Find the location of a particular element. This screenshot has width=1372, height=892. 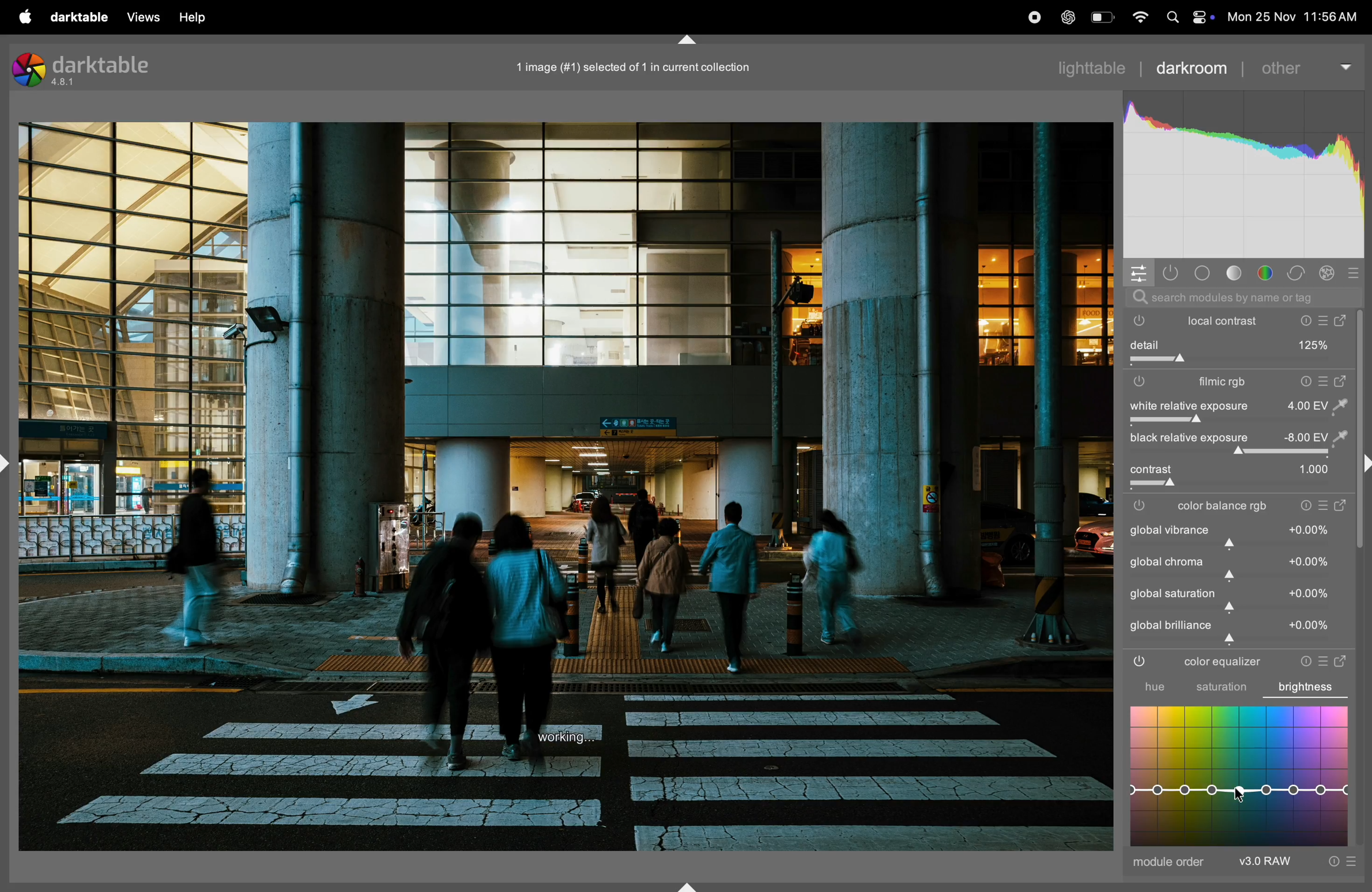

toggle is located at coordinates (1152, 470).